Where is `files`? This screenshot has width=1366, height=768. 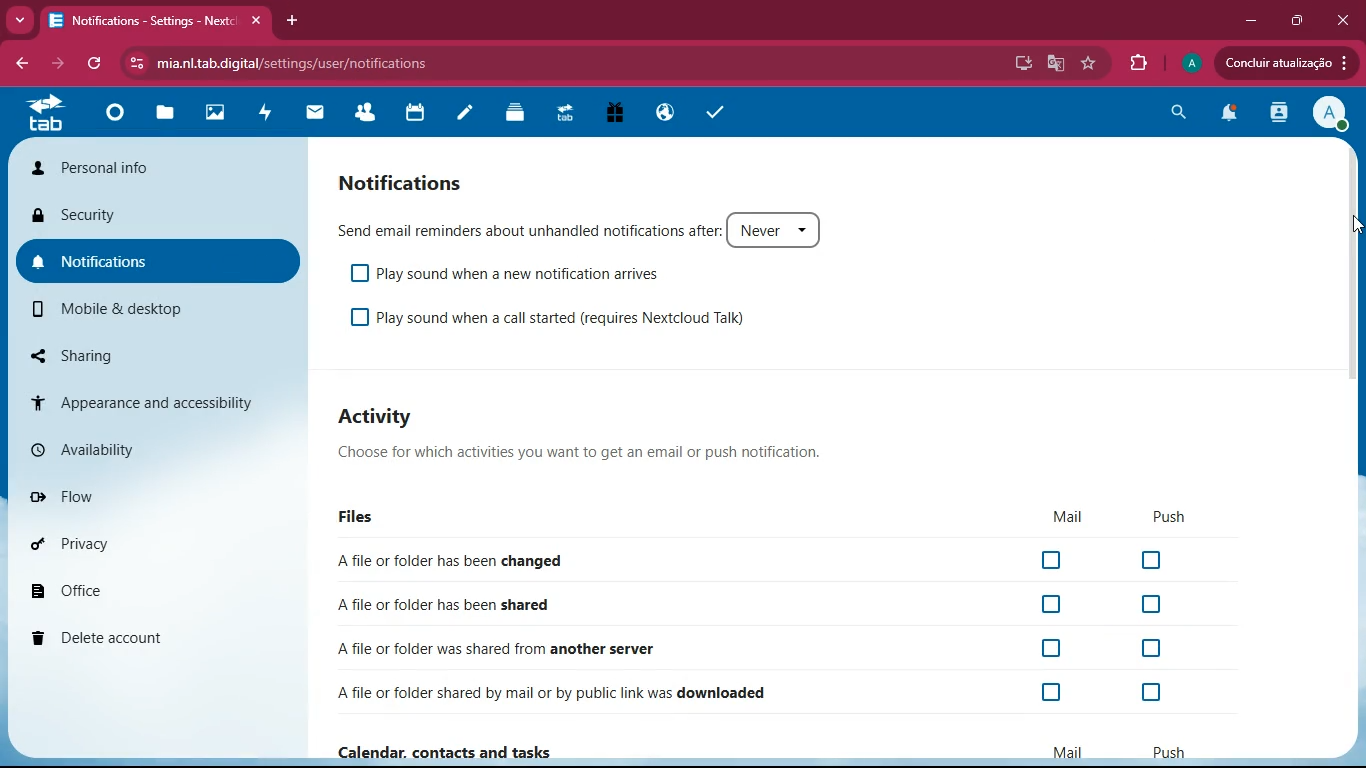 files is located at coordinates (167, 115).